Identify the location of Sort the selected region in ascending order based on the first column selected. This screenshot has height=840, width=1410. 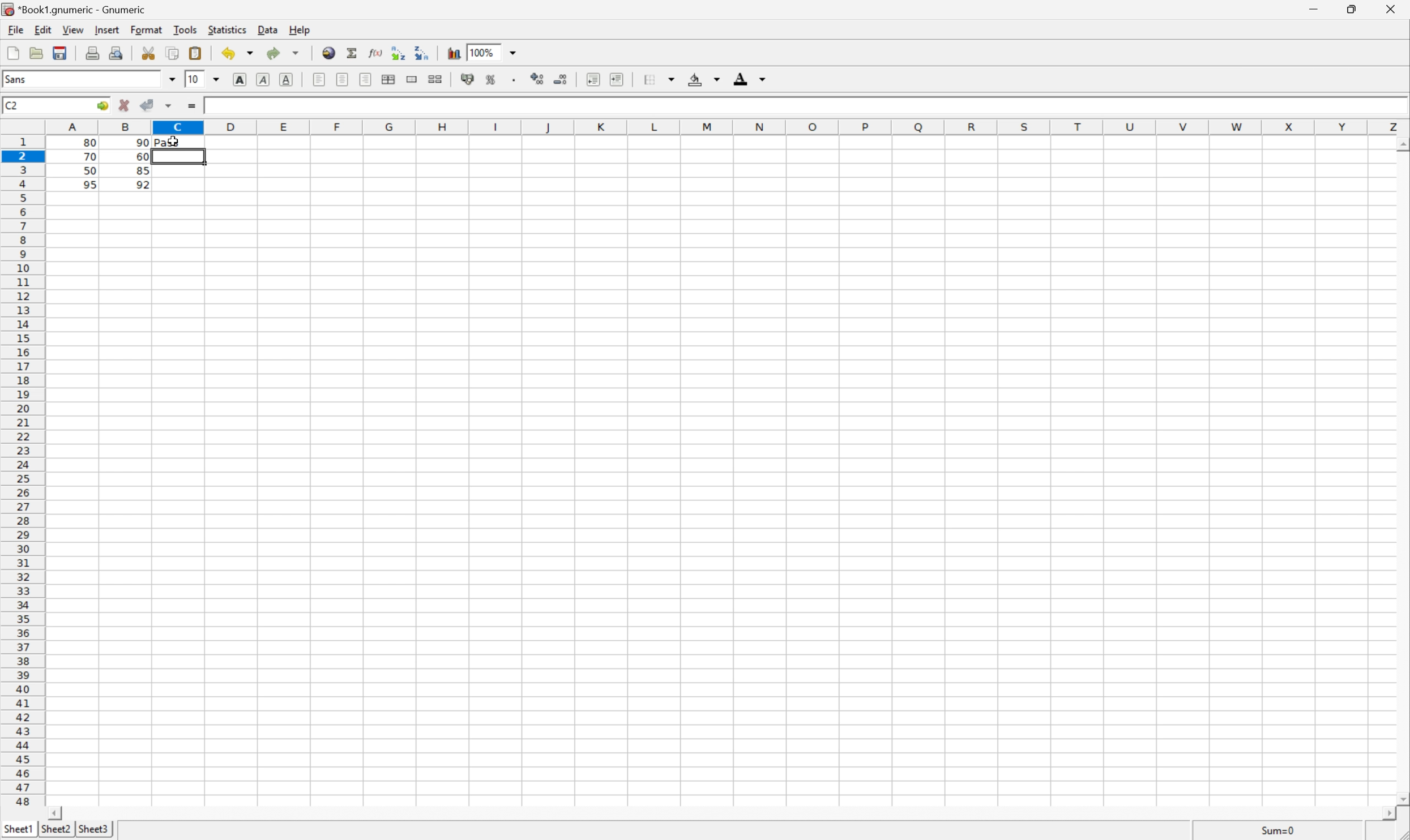
(397, 53).